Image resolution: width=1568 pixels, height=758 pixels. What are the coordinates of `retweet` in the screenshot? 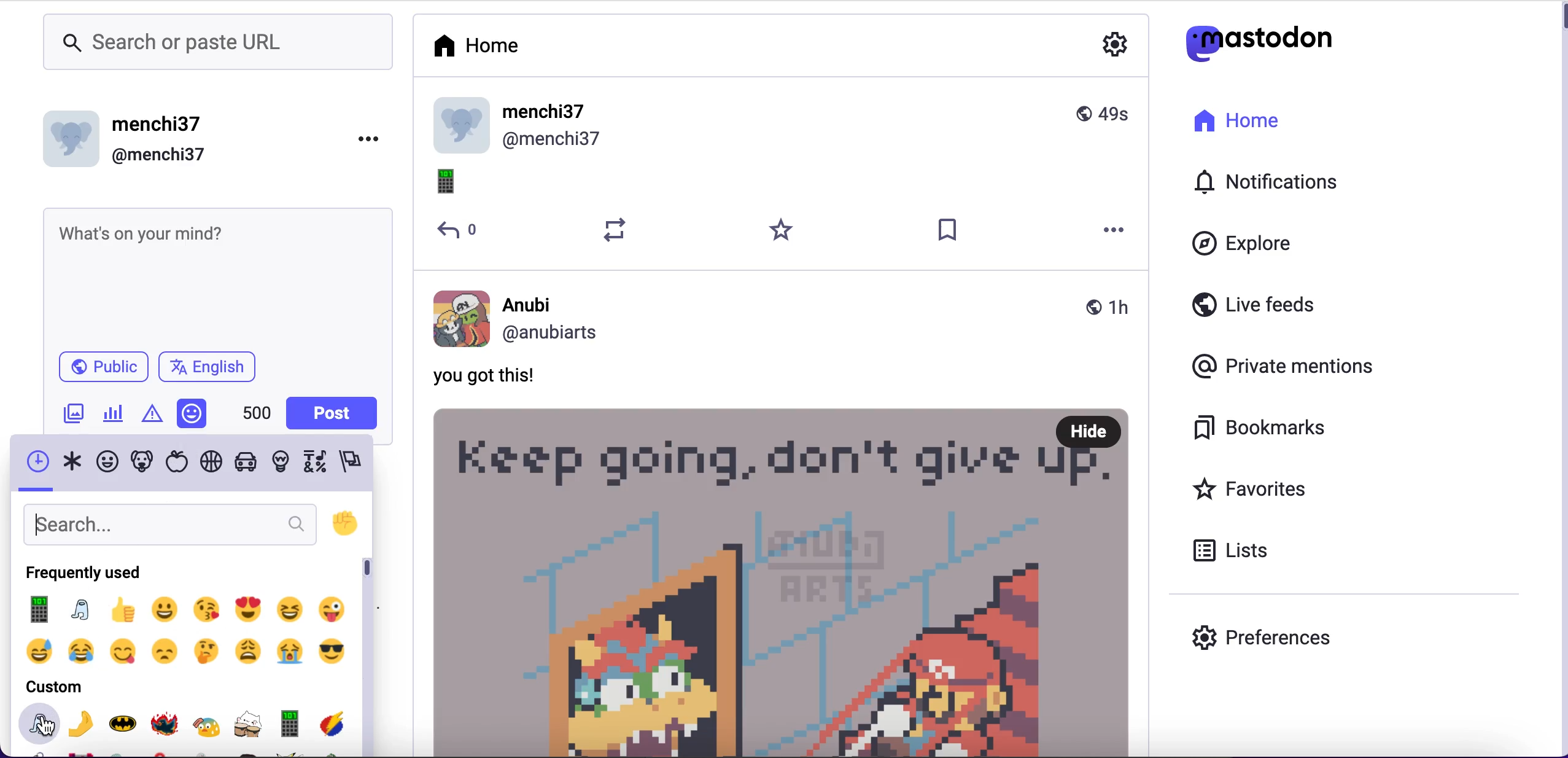 It's located at (616, 230).